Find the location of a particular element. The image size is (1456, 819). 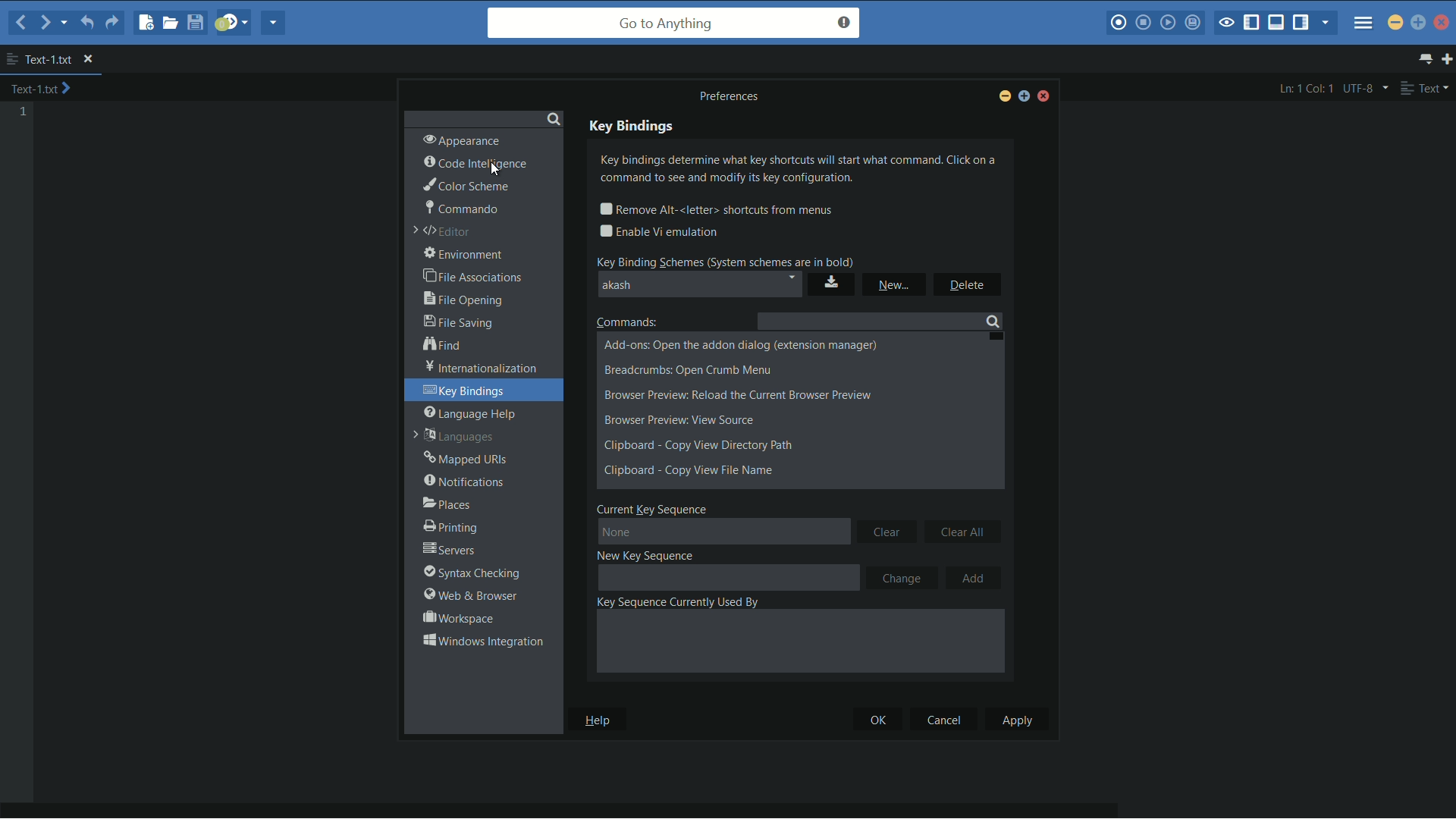

code intelligence is located at coordinates (477, 163).